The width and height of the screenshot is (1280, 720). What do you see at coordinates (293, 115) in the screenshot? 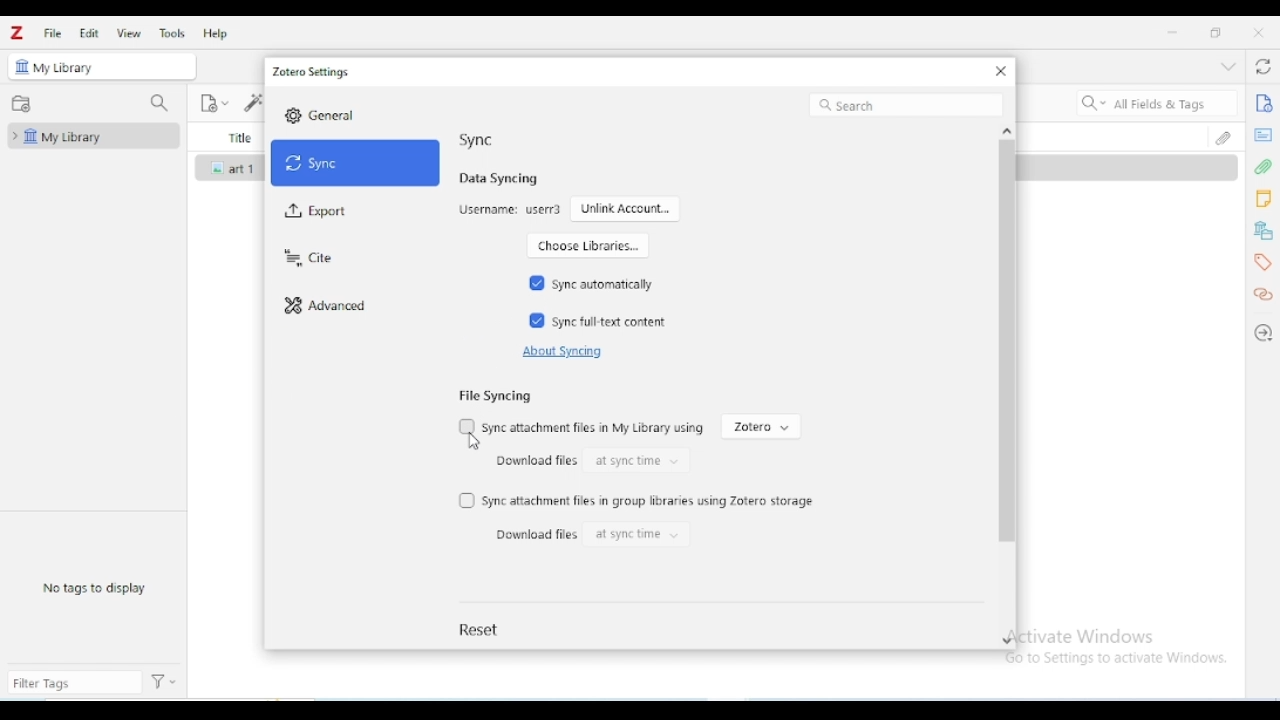
I see `Settings icon` at bounding box center [293, 115].